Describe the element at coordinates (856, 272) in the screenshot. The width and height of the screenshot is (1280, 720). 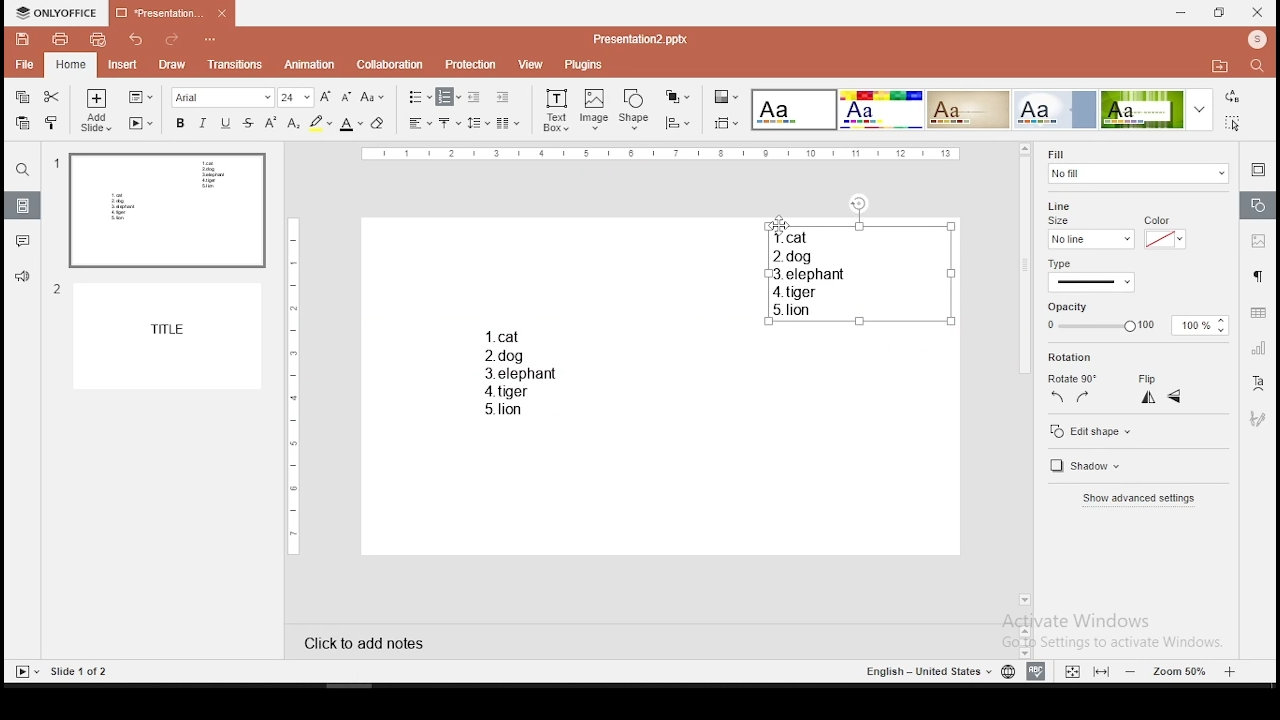
I see `text box` at that location.